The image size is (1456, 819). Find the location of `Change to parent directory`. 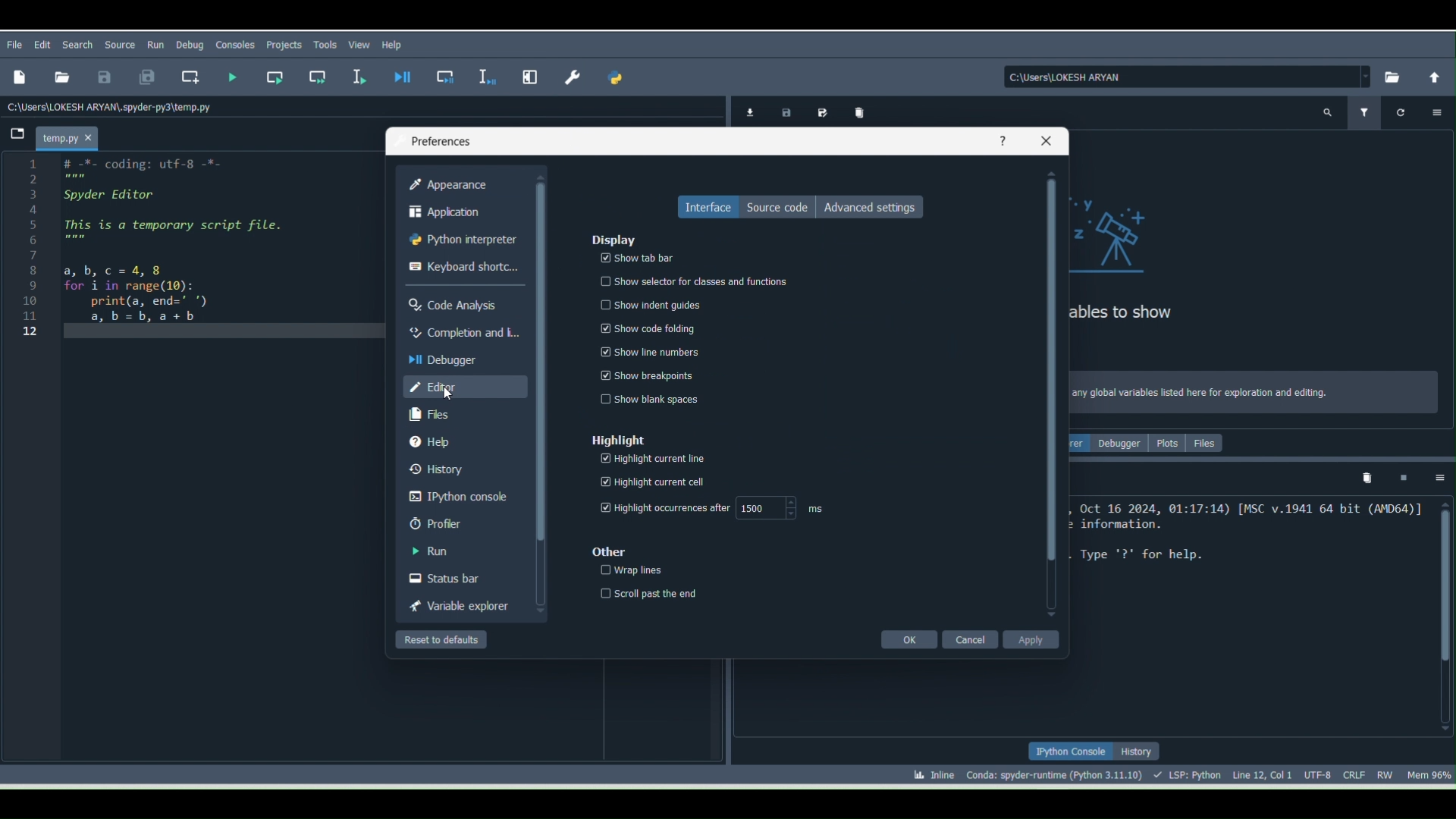

Change to parent directory is located at coordinates (1435, 76).